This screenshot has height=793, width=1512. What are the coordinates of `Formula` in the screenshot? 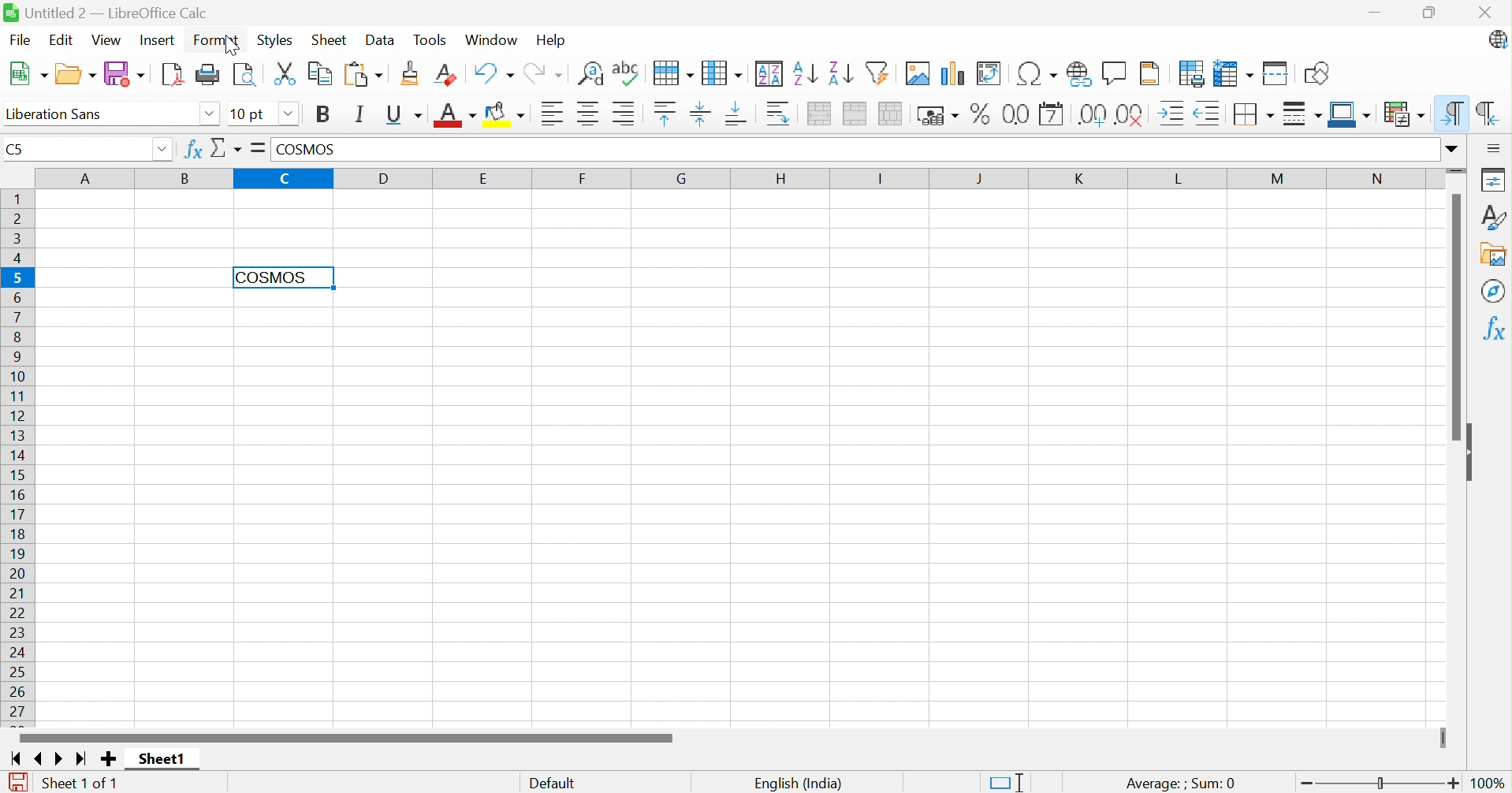 It's located at (259, 147).